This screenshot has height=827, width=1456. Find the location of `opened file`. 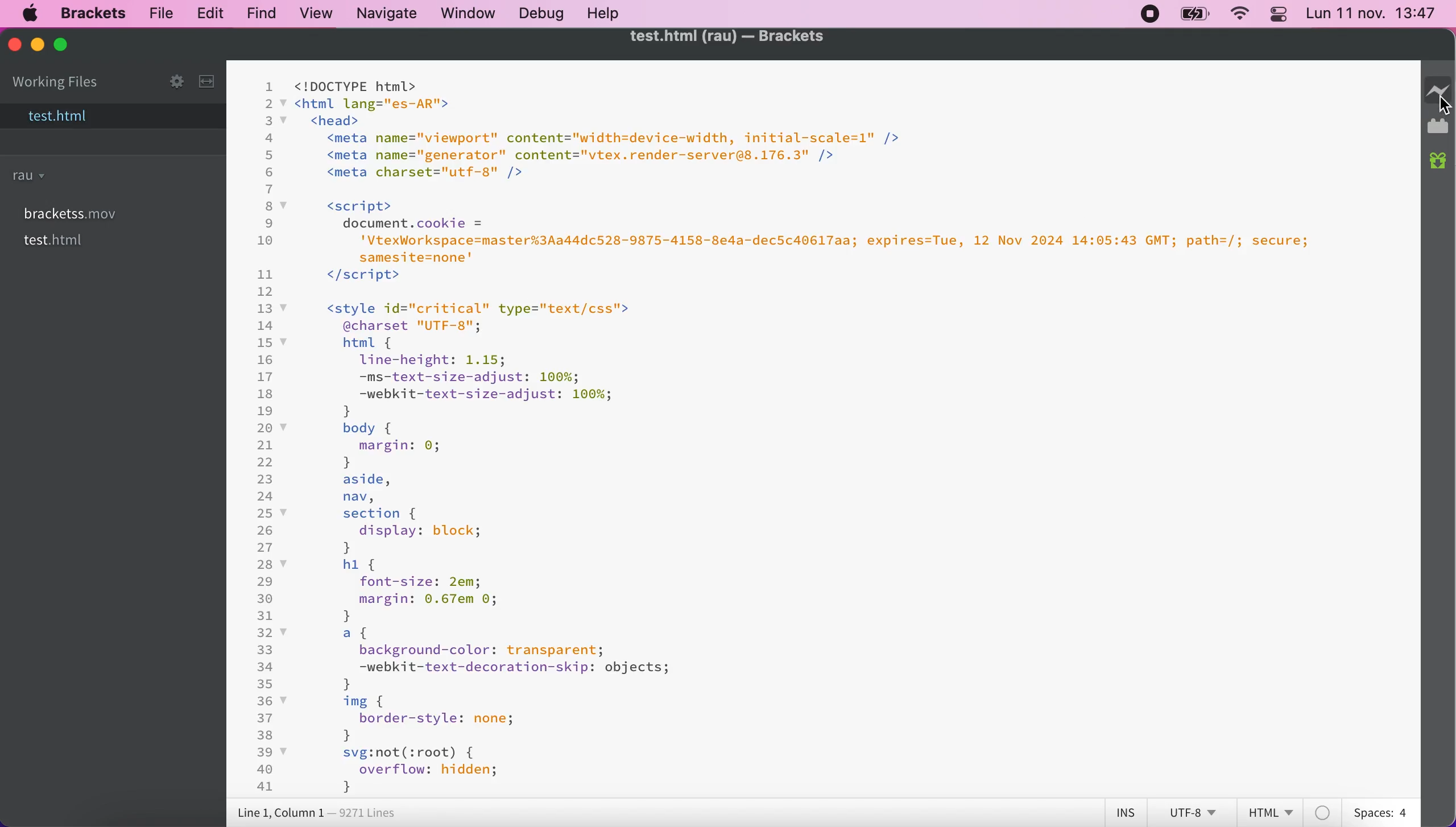

opened file is located at coordinates (825, 428).